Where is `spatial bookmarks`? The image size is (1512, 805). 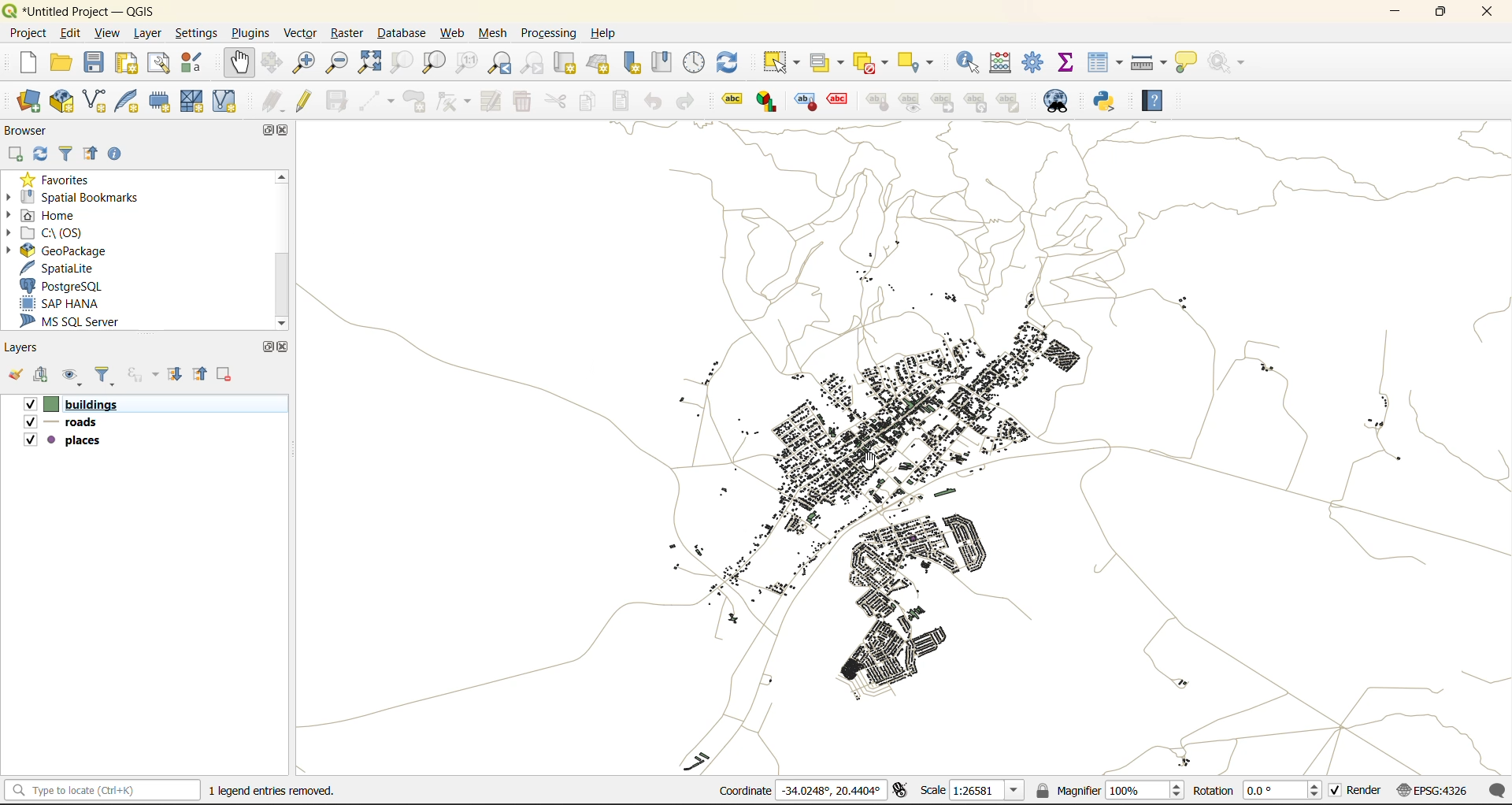 spatial bookmarks is located at coordinates (85, 198).